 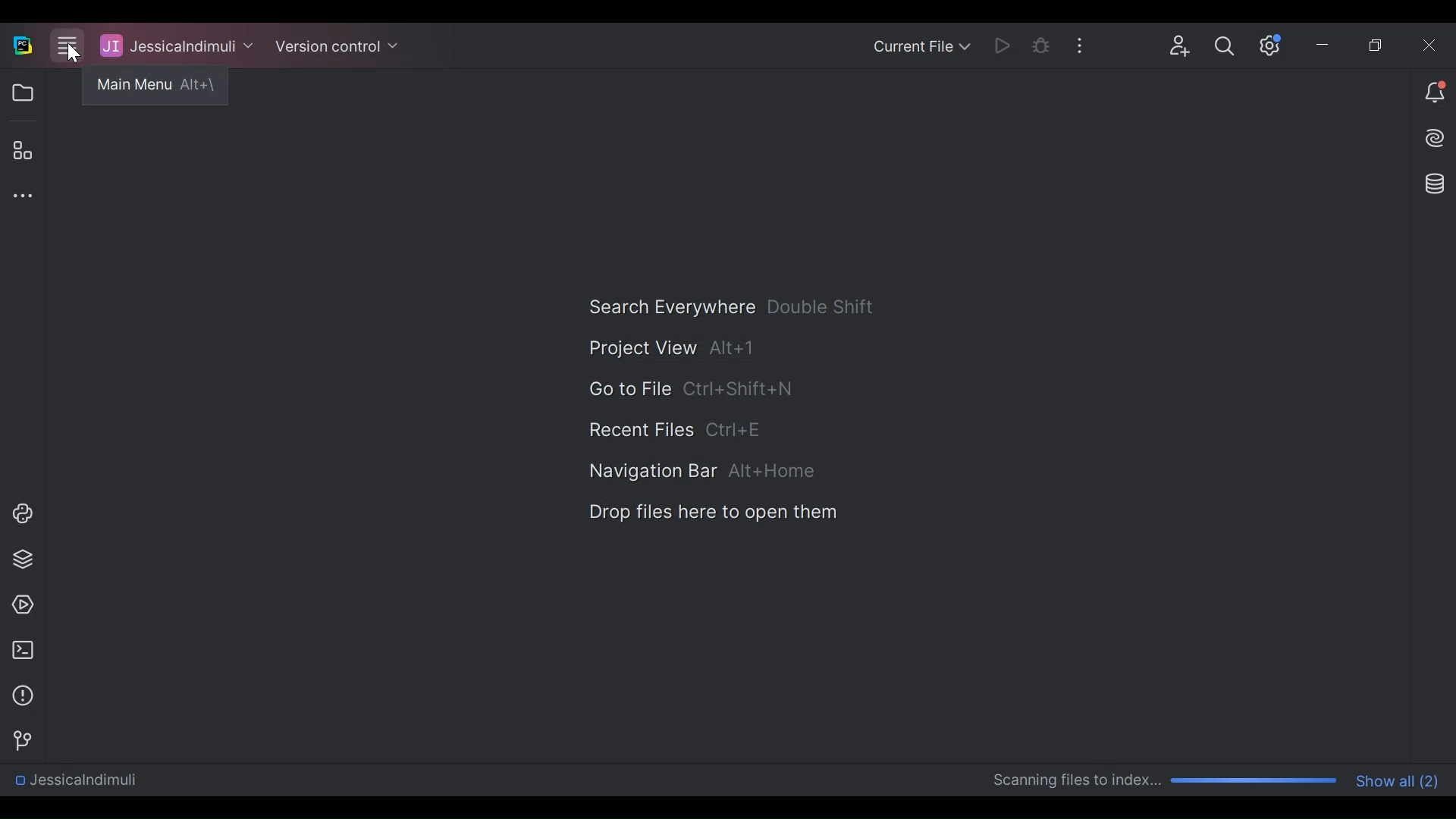 I want to click on Run, so click(x=1001, y=44).